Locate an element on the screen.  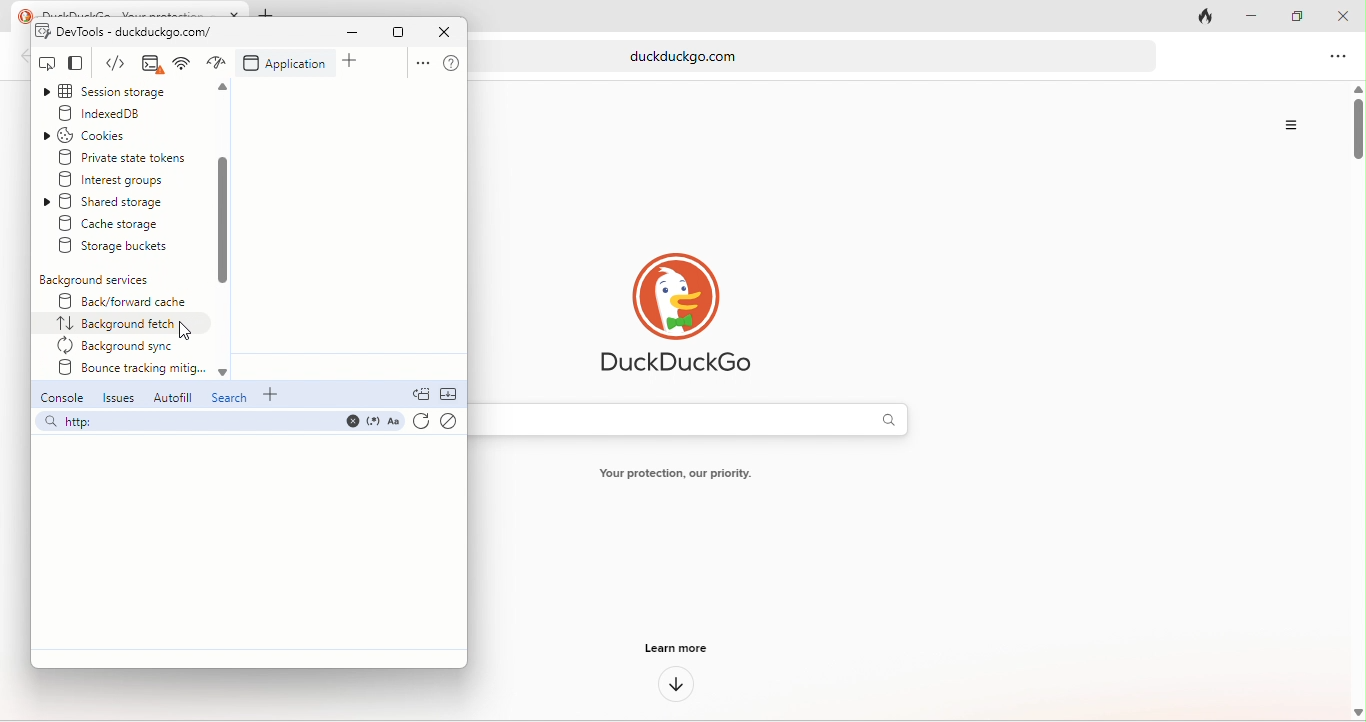
interest groups is located at coordinates (126, 180).